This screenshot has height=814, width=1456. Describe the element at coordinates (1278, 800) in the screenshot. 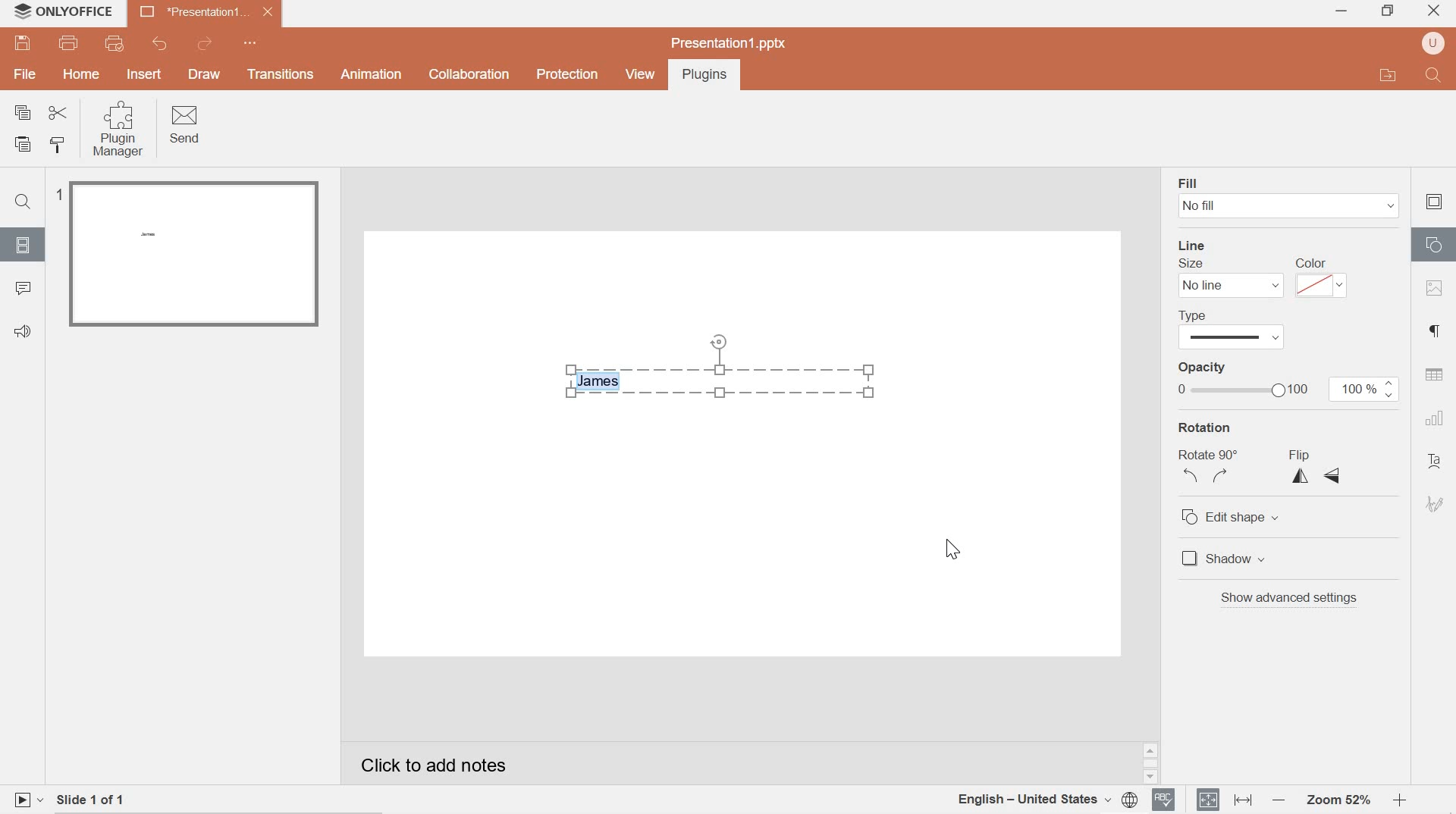

I see `Zoom out` at that location.